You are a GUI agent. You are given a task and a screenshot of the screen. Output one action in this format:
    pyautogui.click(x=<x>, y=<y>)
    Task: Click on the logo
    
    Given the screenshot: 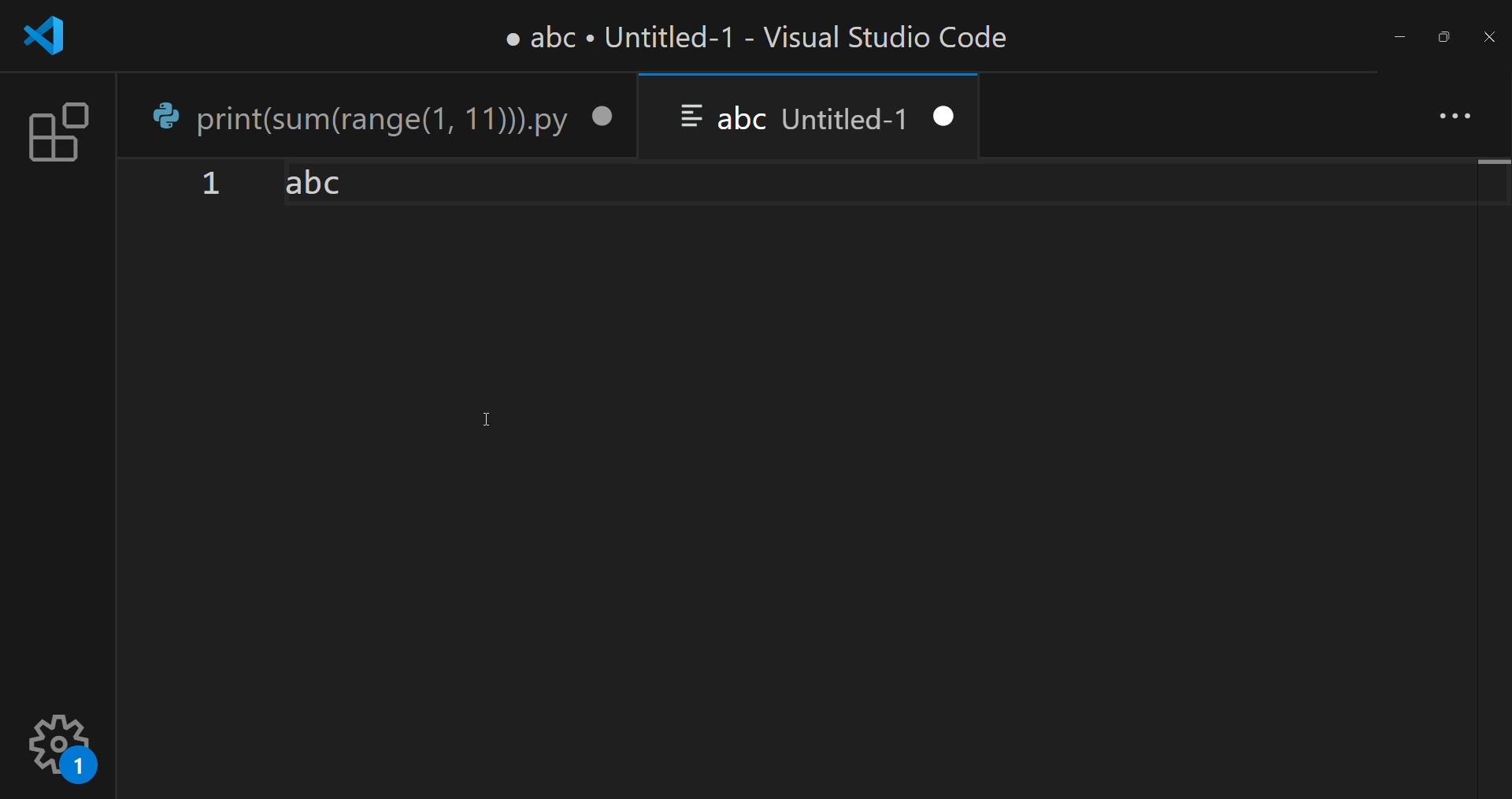 What is the action you would take?
    pyautogui.click(x=47, y=38)
    